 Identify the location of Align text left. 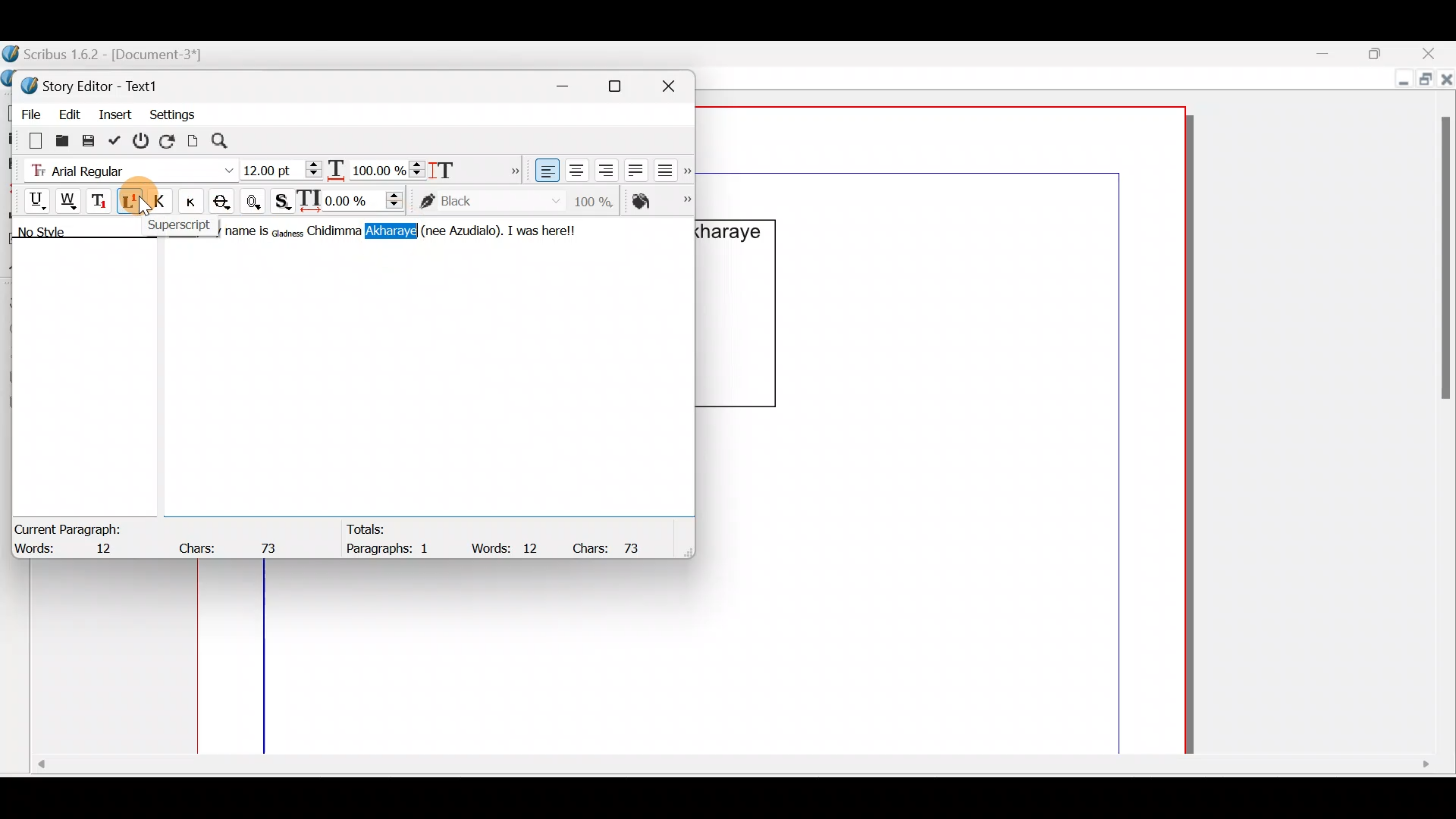
(545, 171).